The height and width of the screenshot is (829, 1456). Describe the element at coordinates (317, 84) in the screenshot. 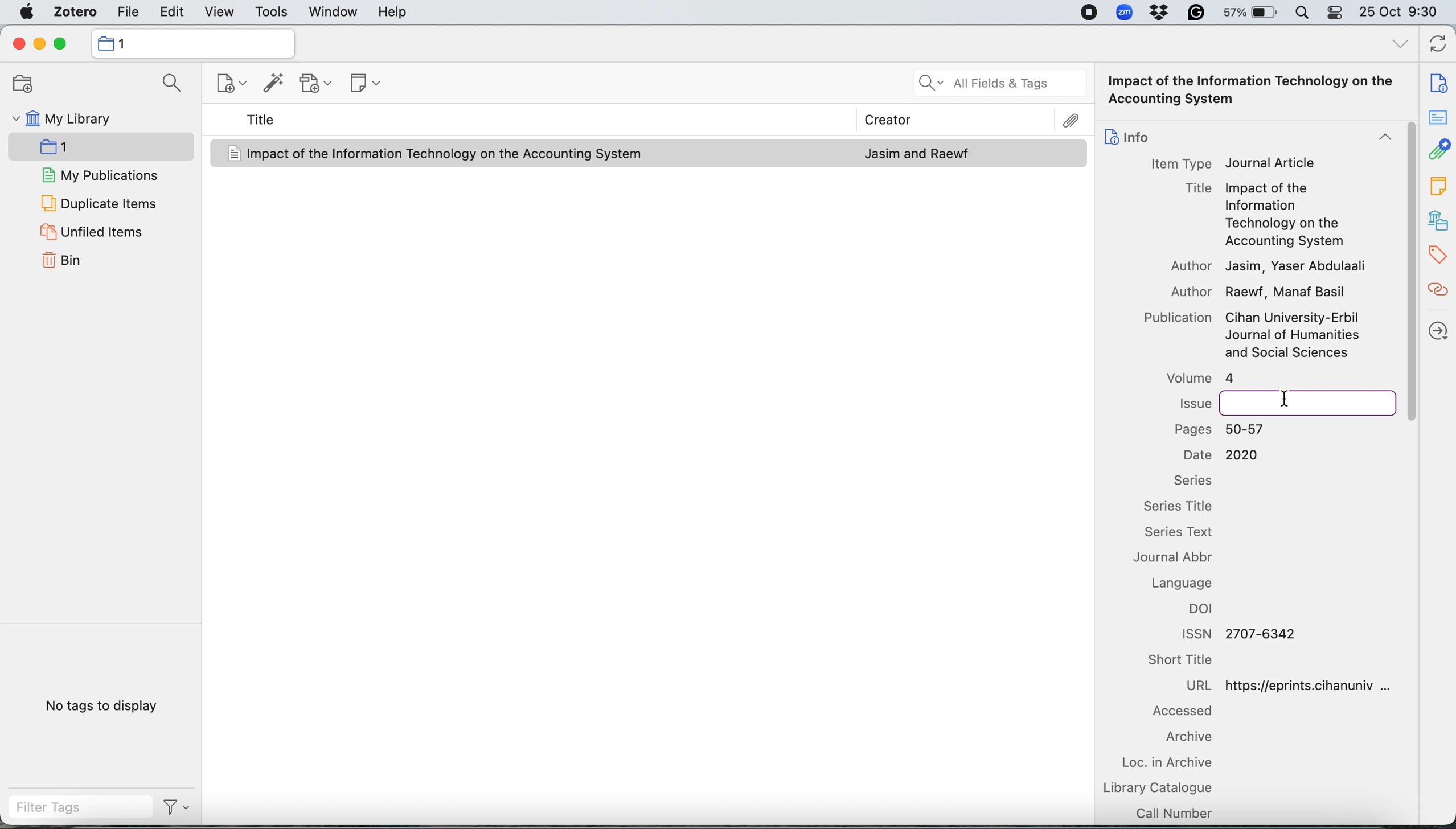

I see `add attachment` at that location.